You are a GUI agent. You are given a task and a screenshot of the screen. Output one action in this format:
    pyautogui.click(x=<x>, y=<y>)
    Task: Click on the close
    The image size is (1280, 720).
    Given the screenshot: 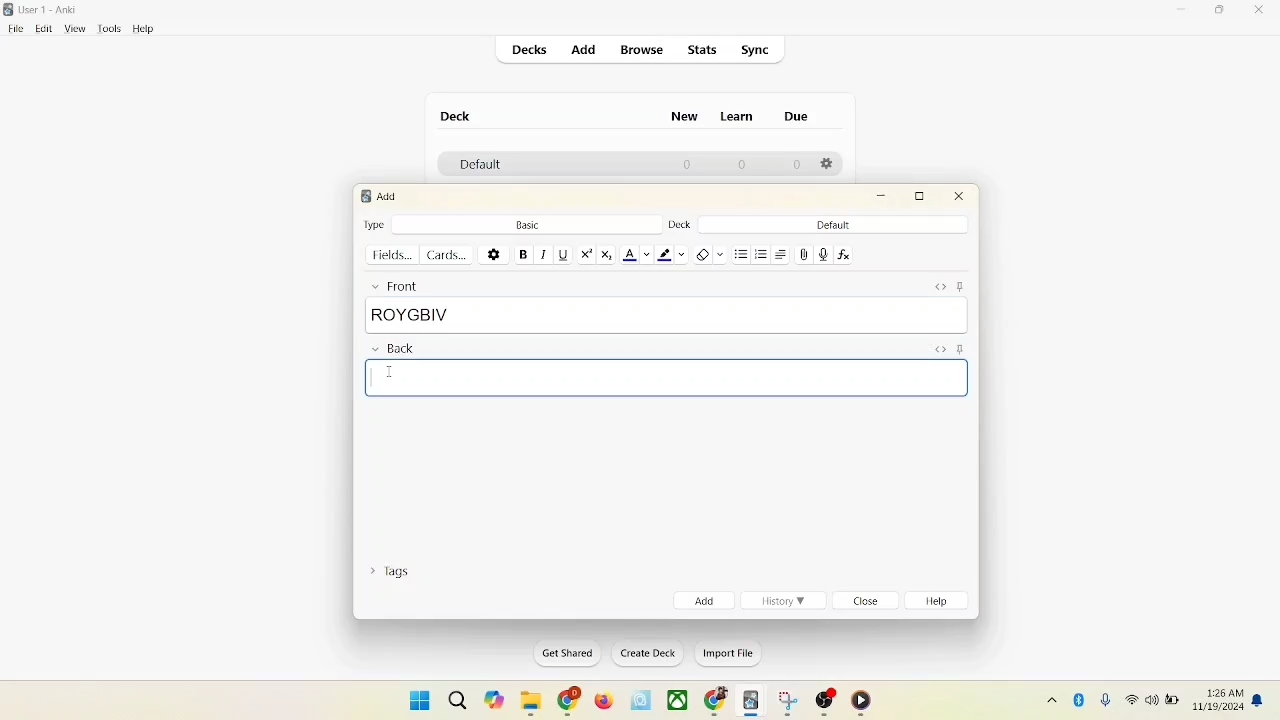 What is the action you would take?
    pyautogui.click(x=868, y=602)
    